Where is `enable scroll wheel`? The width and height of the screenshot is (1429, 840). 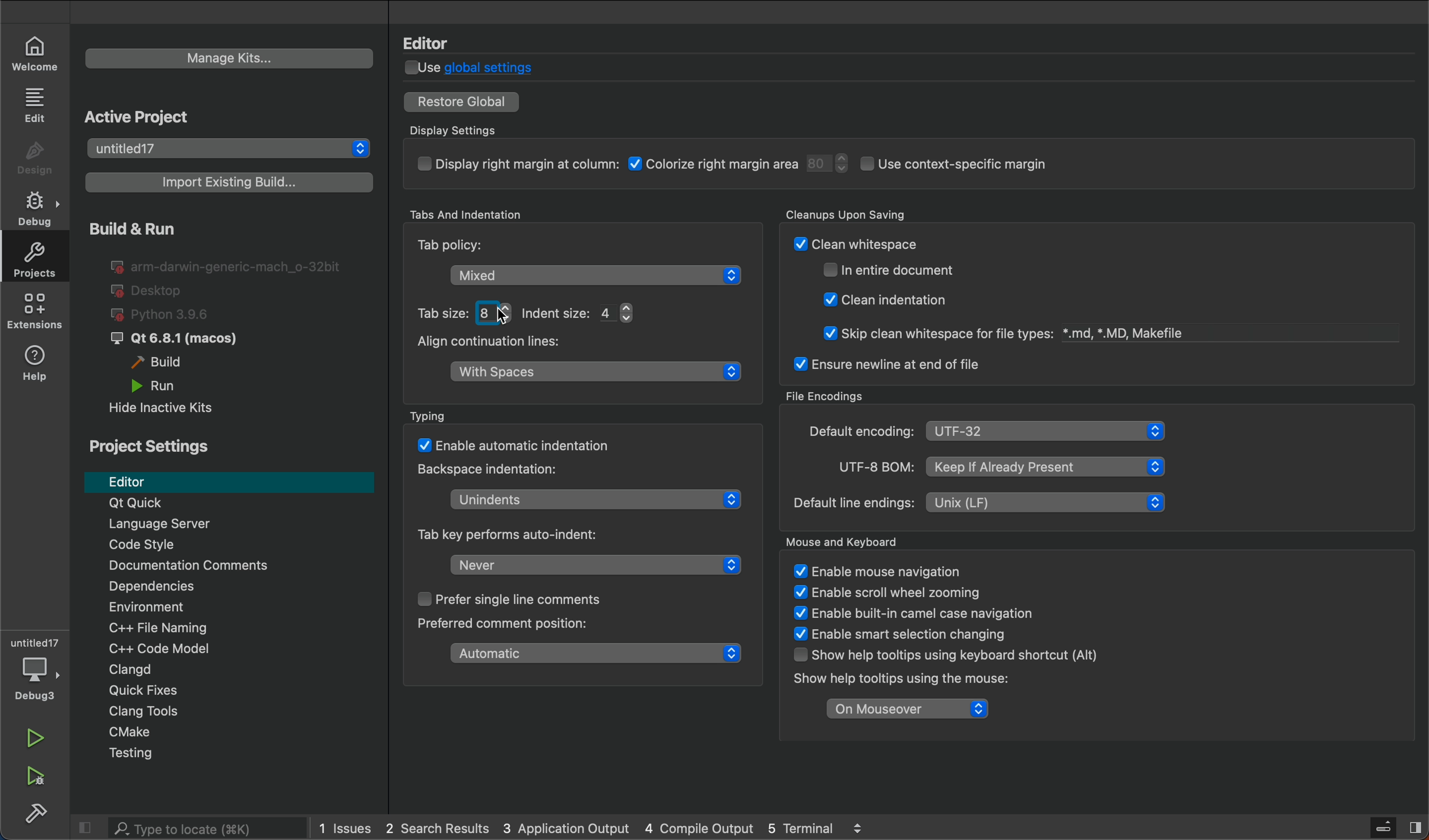 enable scroll wheel is located at coordinates (891, 593).